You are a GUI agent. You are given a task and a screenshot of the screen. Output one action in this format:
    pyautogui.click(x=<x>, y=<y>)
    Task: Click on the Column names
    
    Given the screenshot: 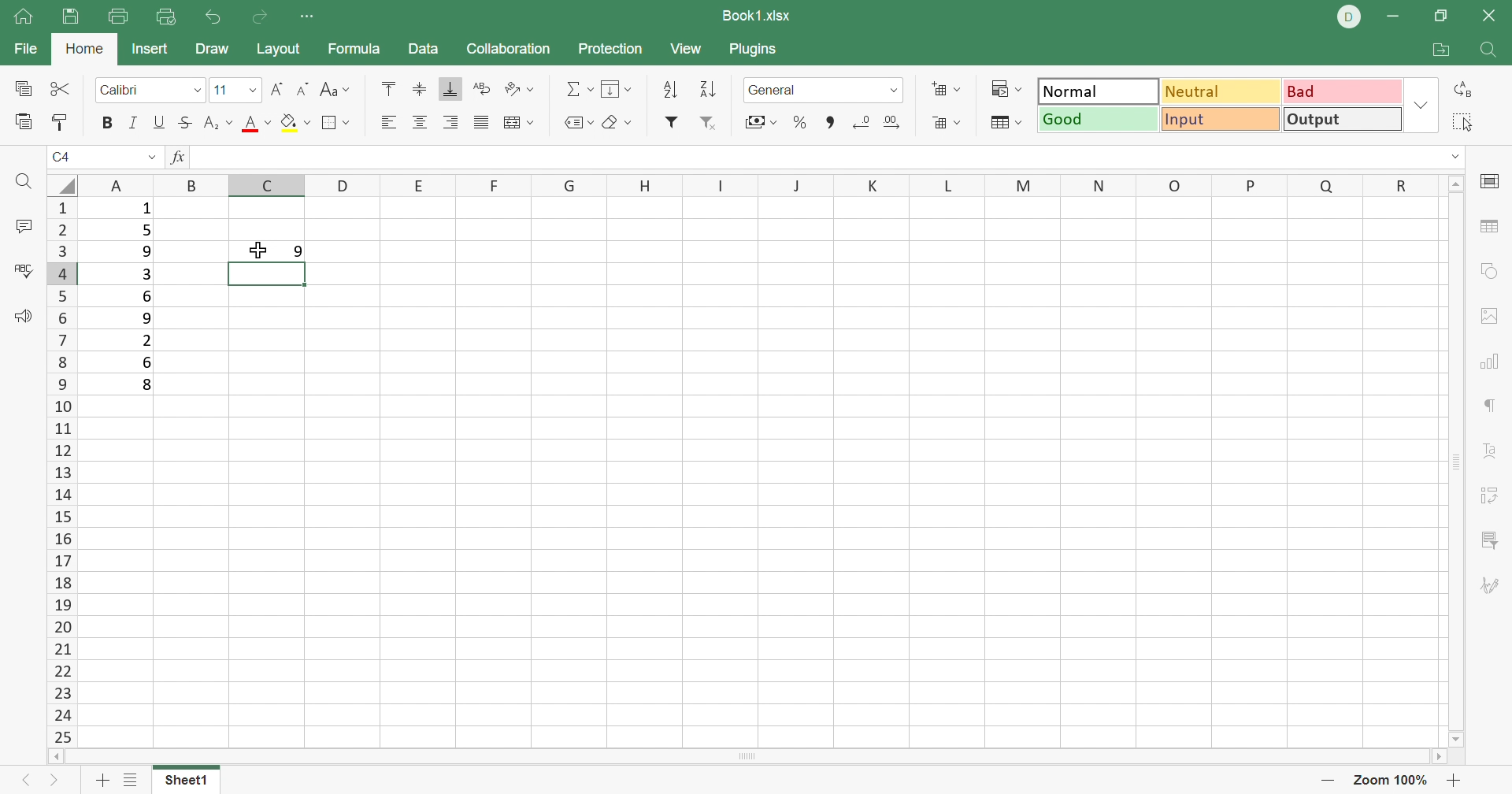 What is the action you would take?
    pyautogui.click(x=755, y=184)
    